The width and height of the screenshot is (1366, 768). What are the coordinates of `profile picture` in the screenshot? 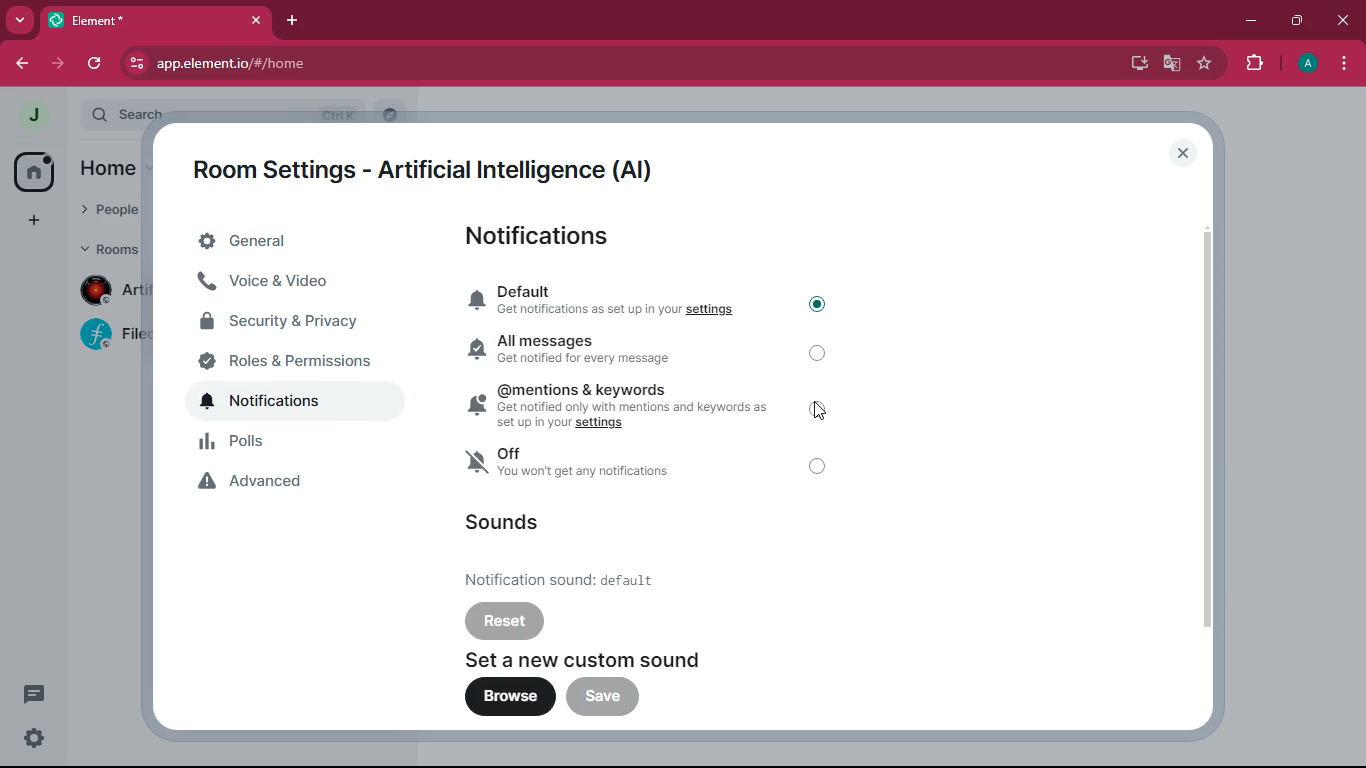 It's located at (37, 116).